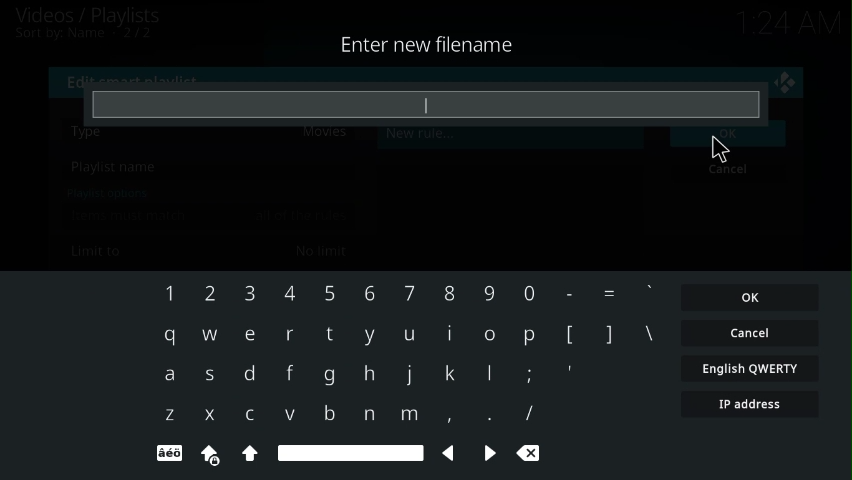  Describe the element at coordinates (447, 294) in the screenshot. I see `8` at that location.